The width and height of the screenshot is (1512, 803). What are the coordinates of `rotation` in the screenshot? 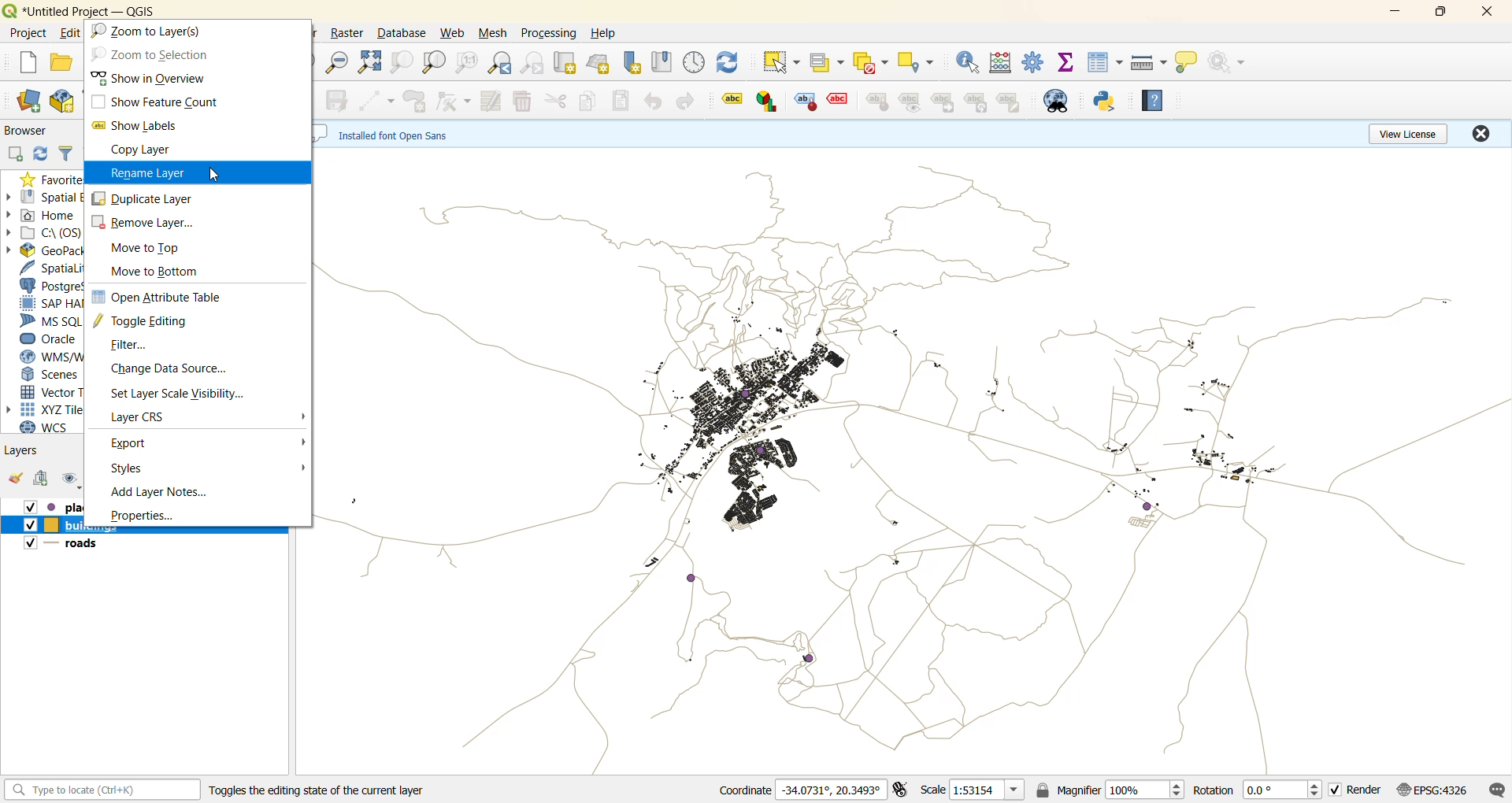 It's located at (1257, 790).